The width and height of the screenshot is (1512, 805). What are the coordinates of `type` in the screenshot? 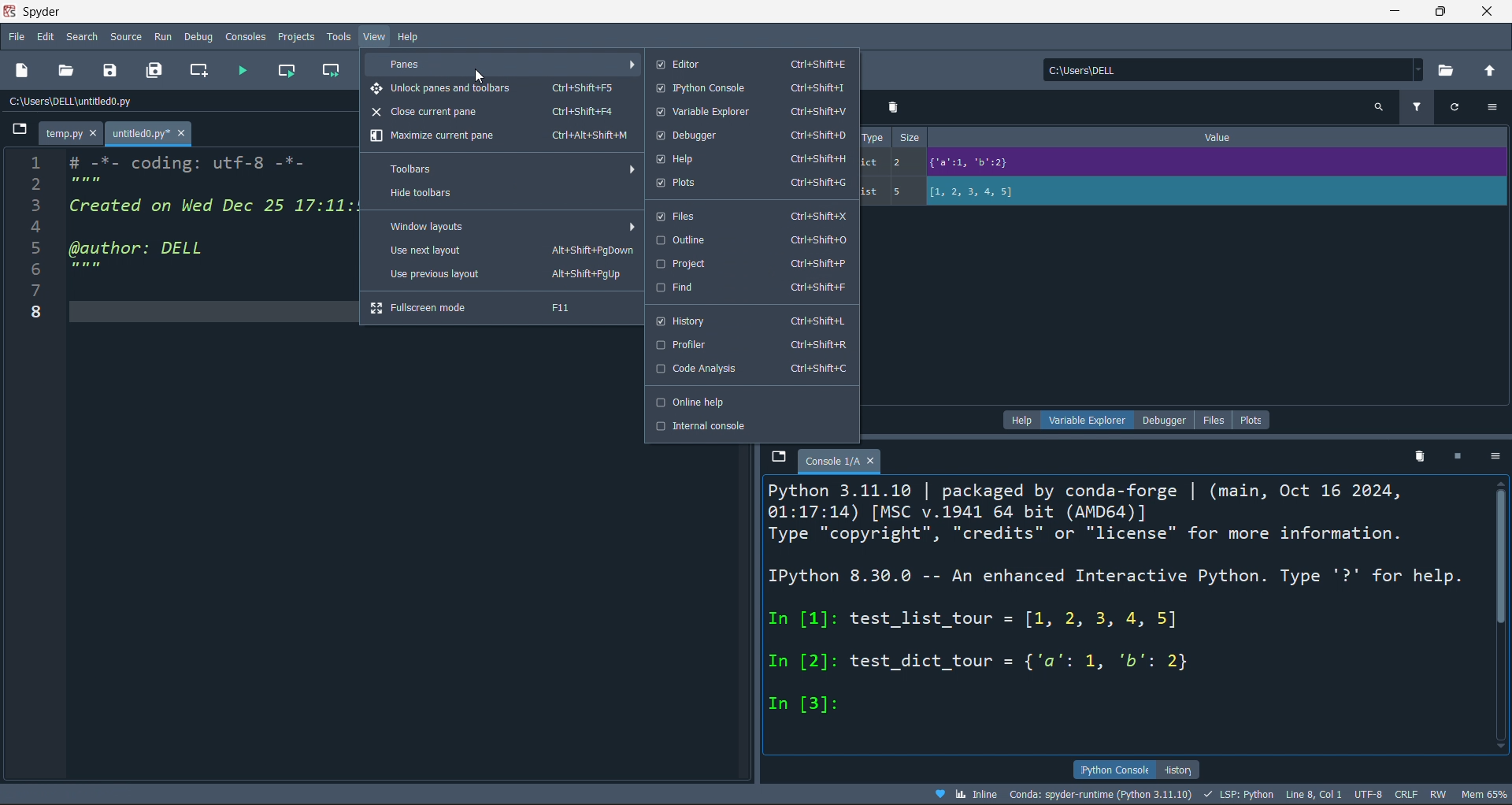 It's located at (873, 137).